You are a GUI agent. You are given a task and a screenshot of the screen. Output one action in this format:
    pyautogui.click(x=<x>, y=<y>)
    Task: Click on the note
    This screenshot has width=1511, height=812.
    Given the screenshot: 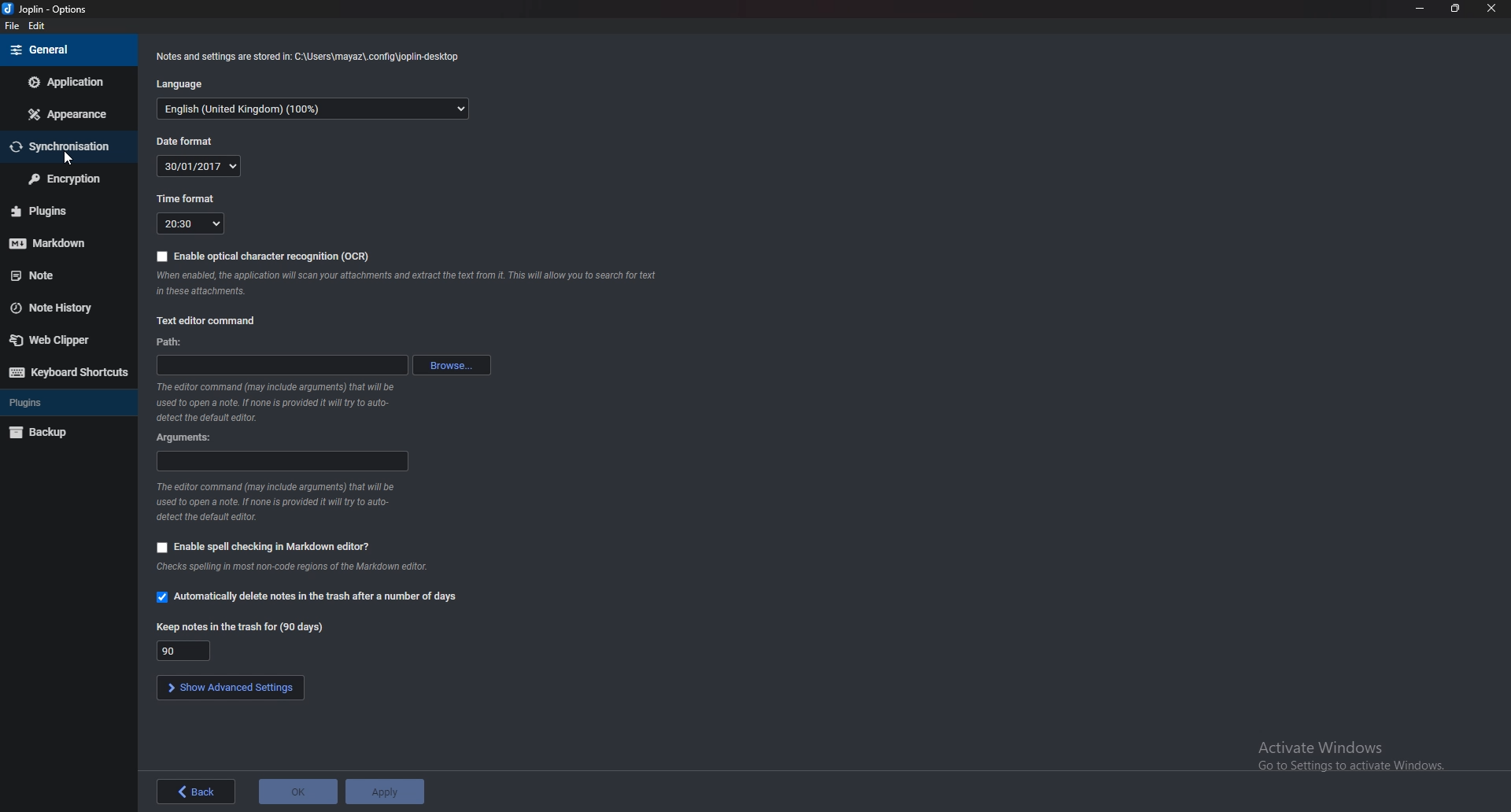 What is the action you would take?
    pyautogui.click(x=61, y=274)
    